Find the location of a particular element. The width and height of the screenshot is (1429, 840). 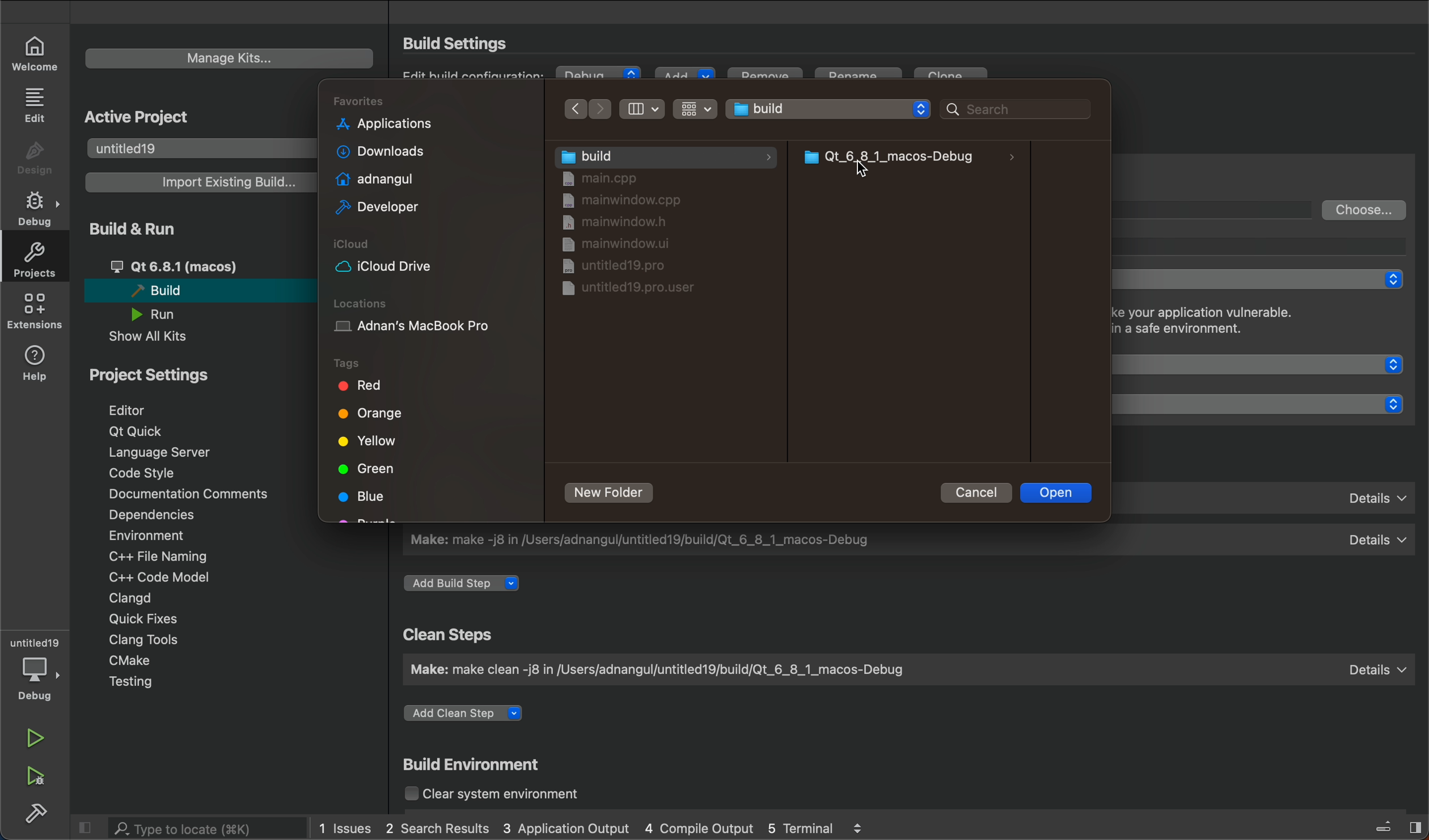

WELCOME is located at coordinates (36, 52).